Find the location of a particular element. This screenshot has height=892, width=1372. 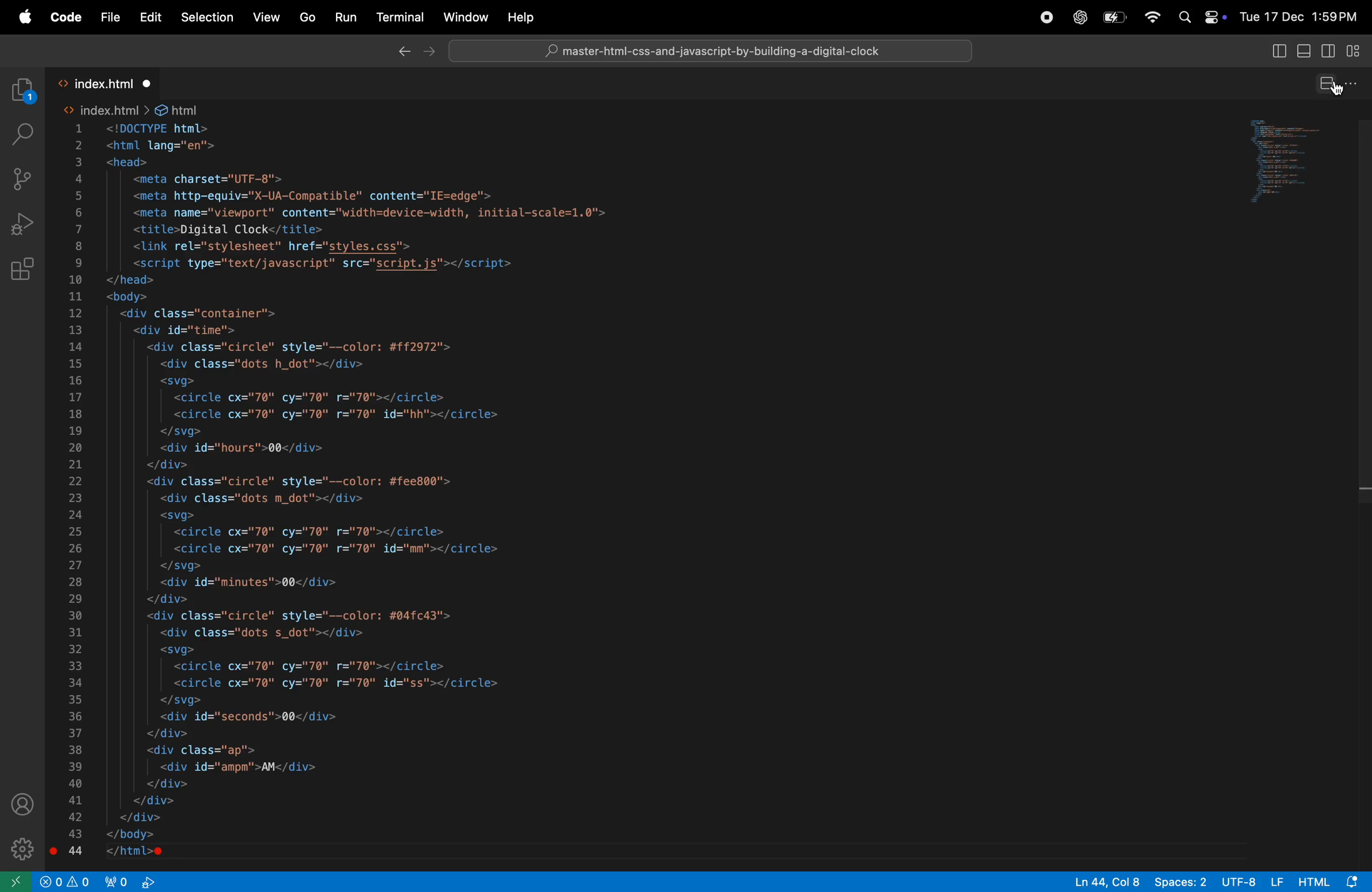

Tue 17 Dec 1:59PM is located at coordinates (1301, 16).